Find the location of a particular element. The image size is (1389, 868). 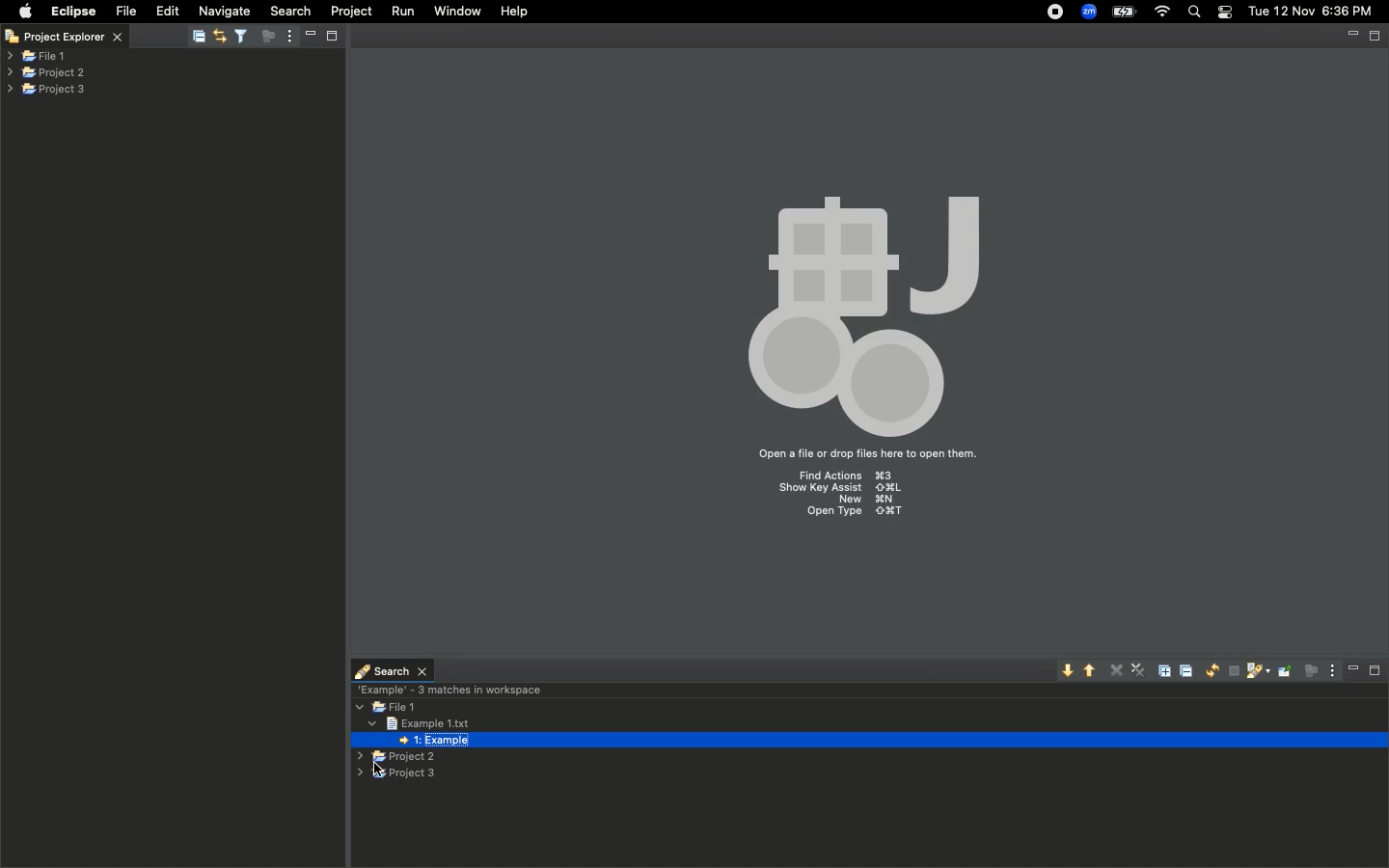

Maximize is located at coordinates (1376, 670).